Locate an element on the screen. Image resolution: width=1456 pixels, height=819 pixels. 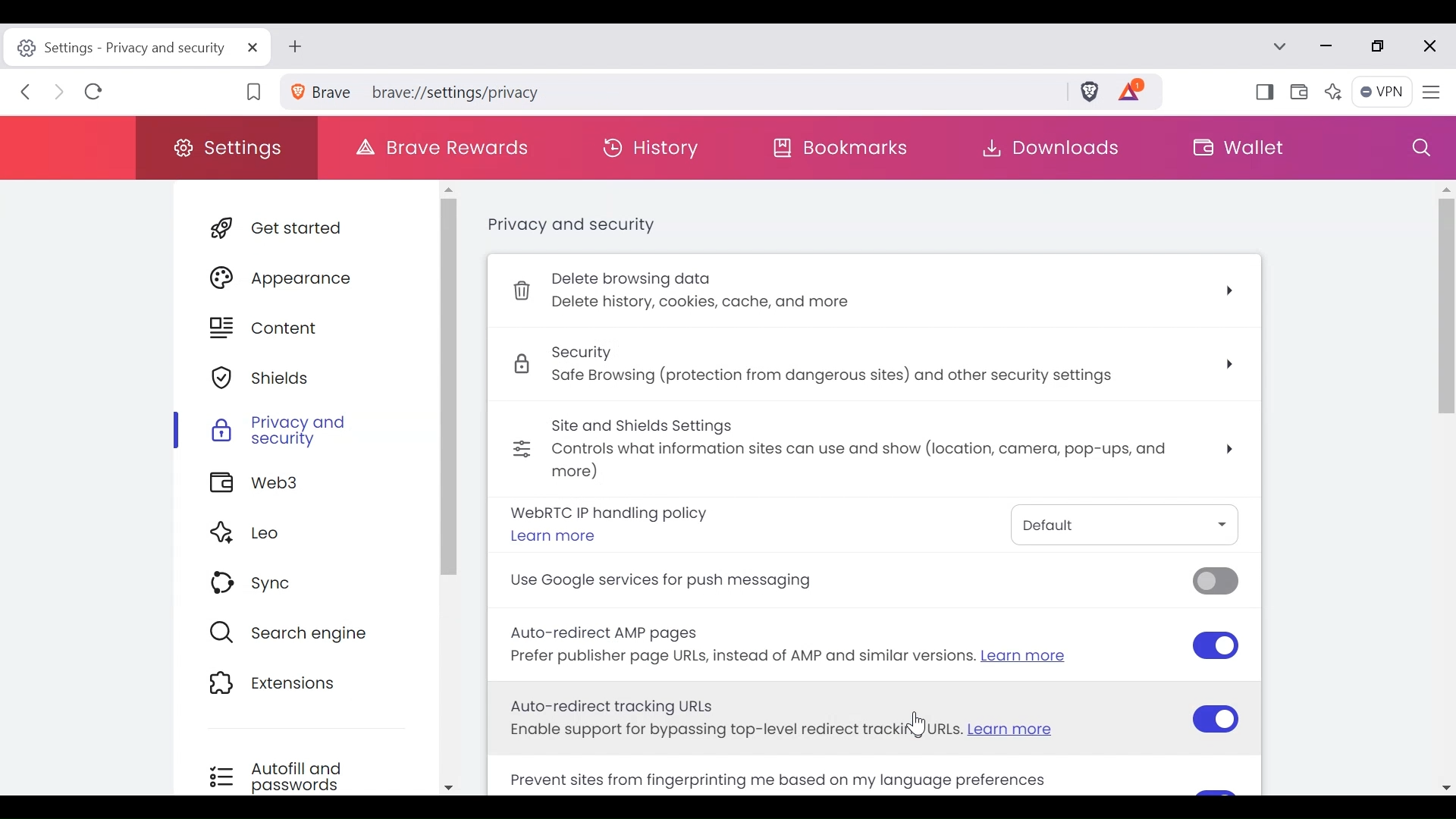
Scrollbar is located at coordinates (447, 387).